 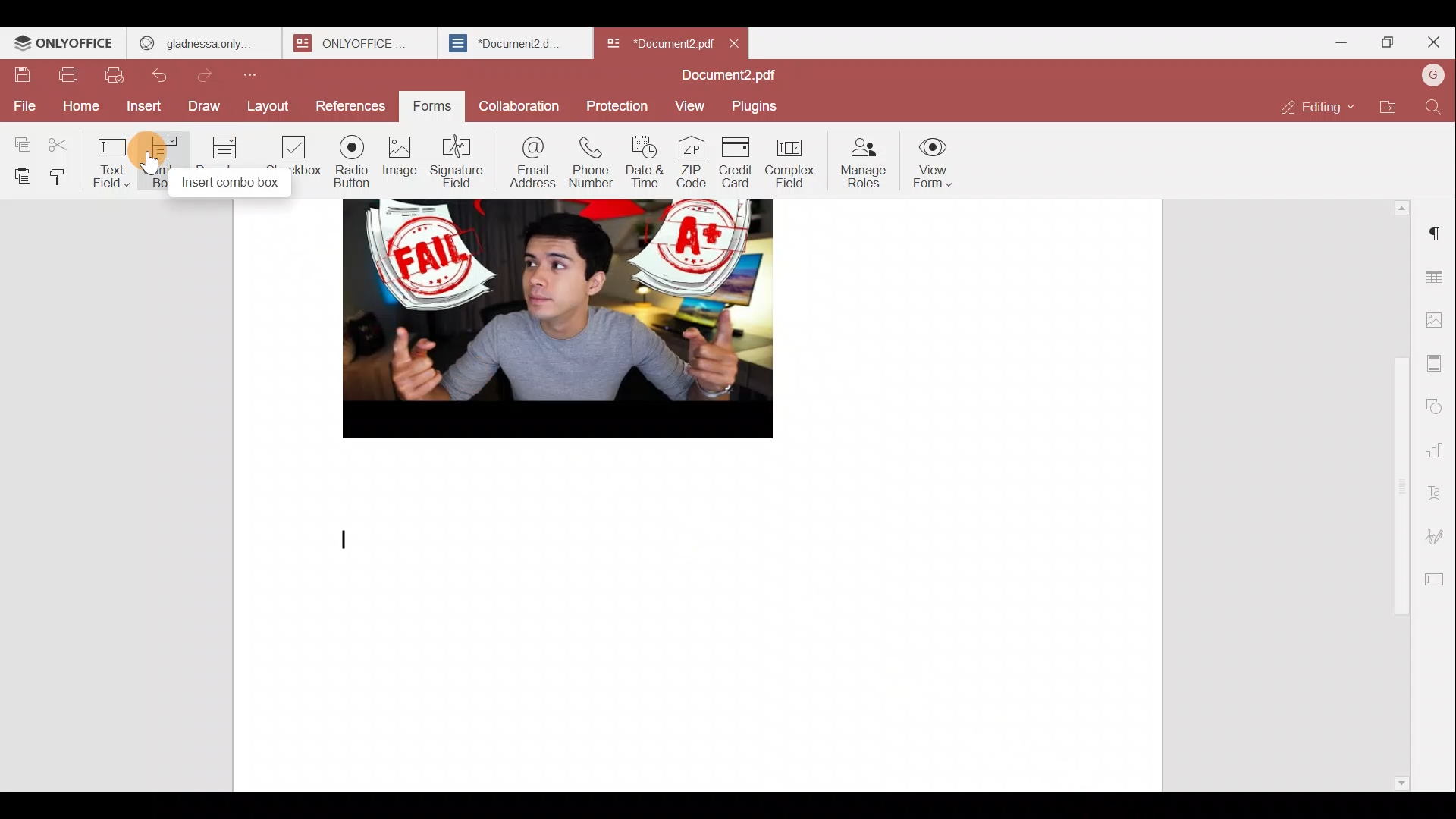 I want to click on image, so click(x=550, y=318).